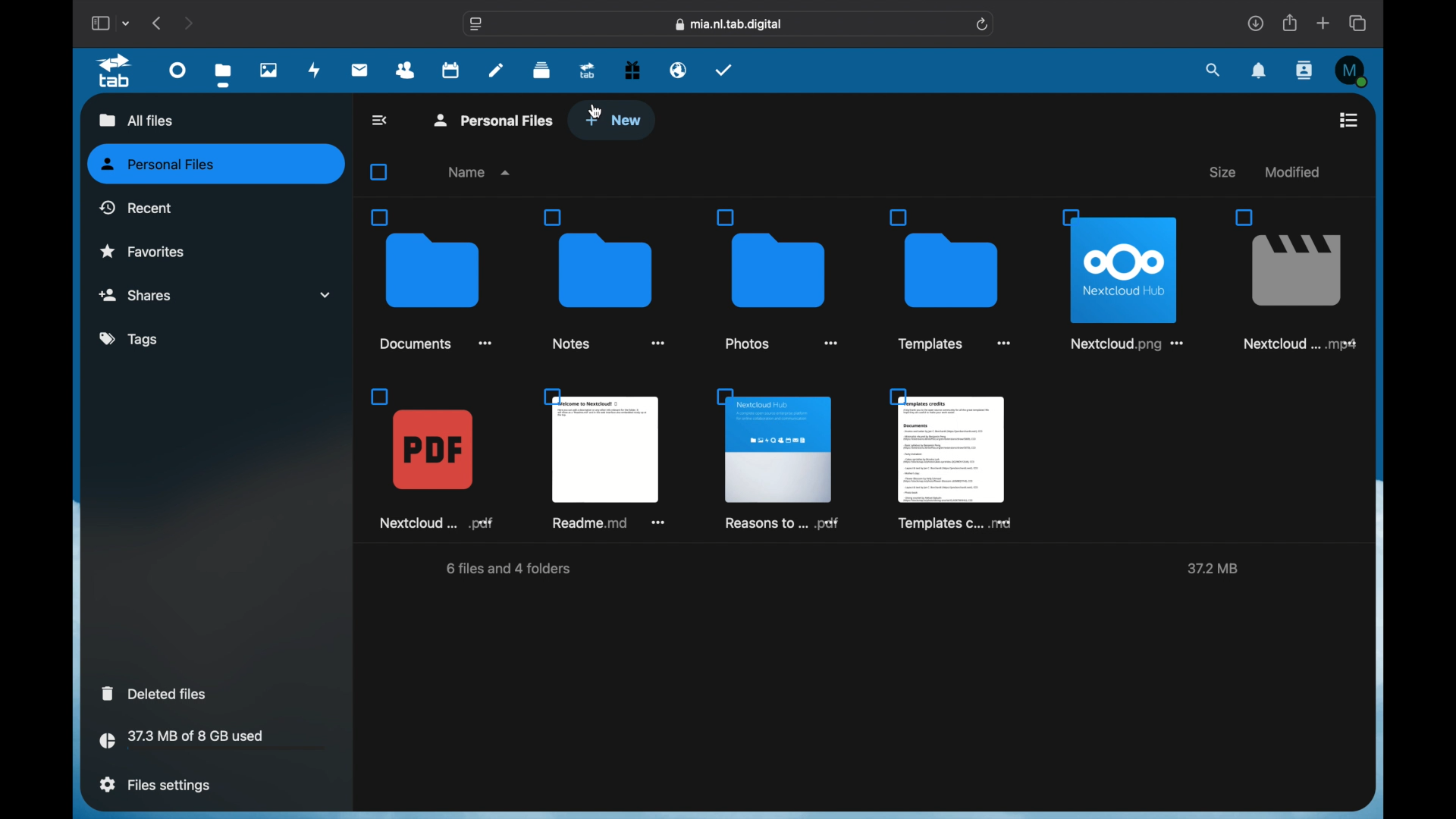 The height and width of the screenshot is (819, 1456). Describe the element at coordinates (1353, 71) in the screenshot. I see `M` at that location.